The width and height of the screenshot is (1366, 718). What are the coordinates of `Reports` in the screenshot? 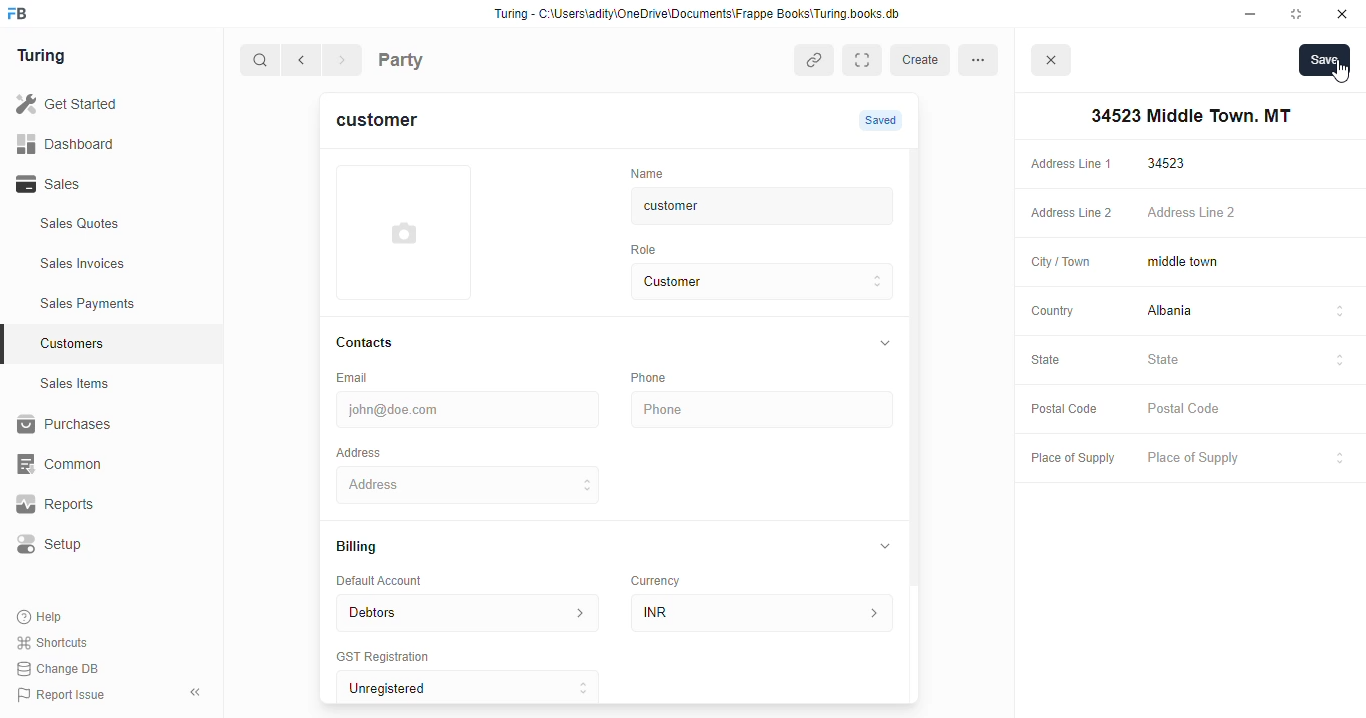 It's located at (91, 505).